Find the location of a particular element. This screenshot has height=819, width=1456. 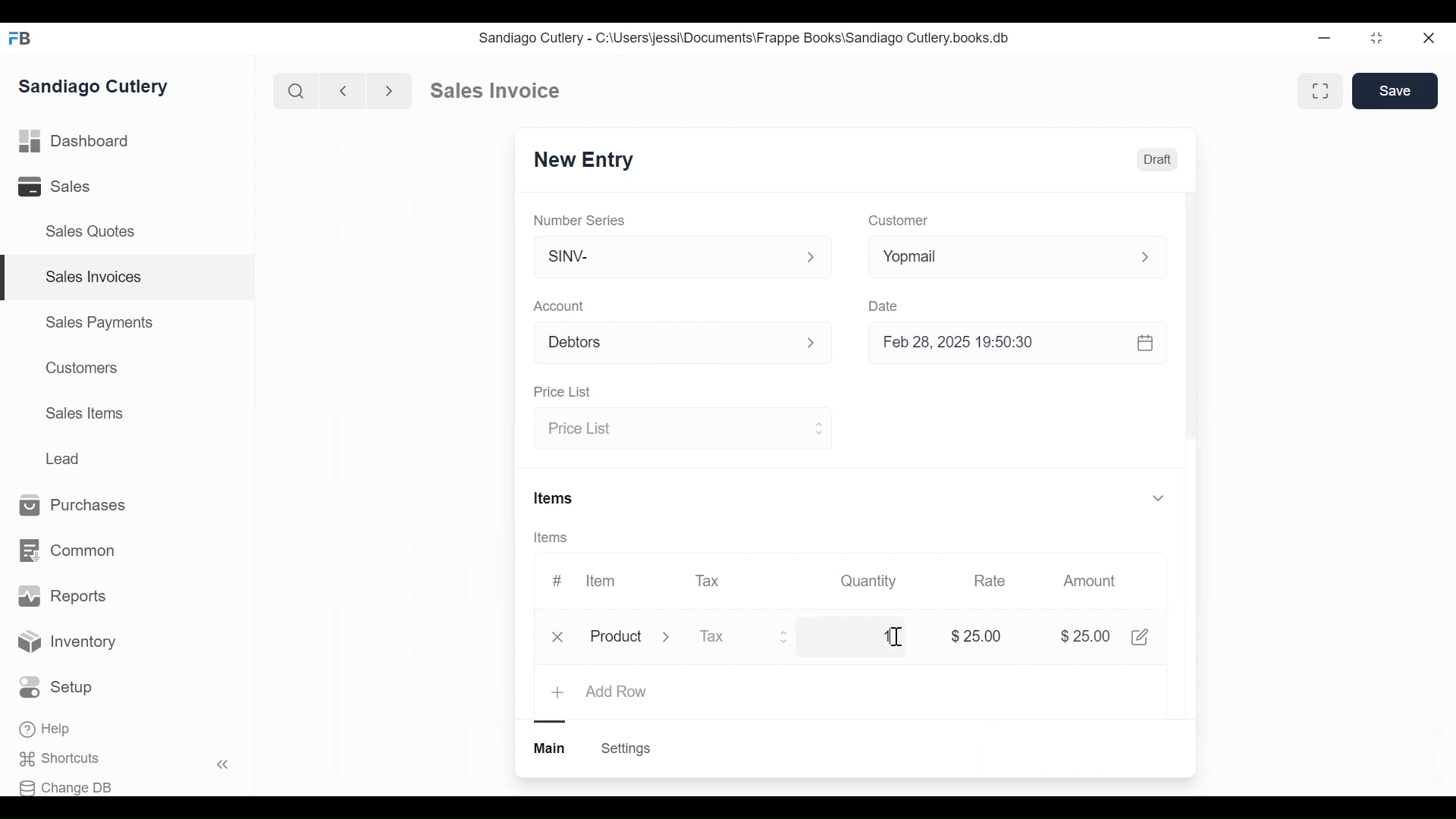

SINV- is located at coordinates (681, 260).